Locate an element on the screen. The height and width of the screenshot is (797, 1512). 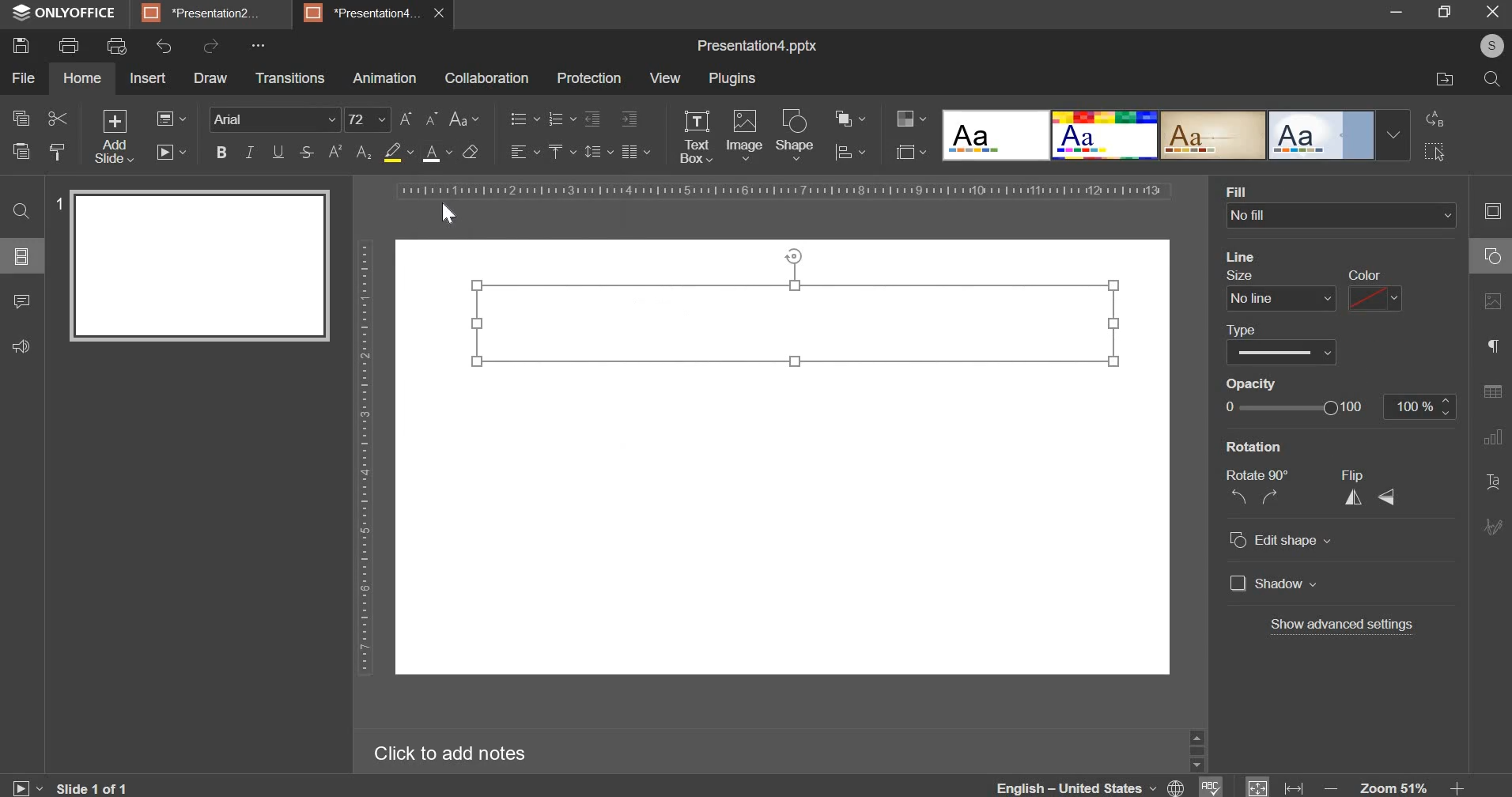
spelling is located at coordinates (1214, 785).